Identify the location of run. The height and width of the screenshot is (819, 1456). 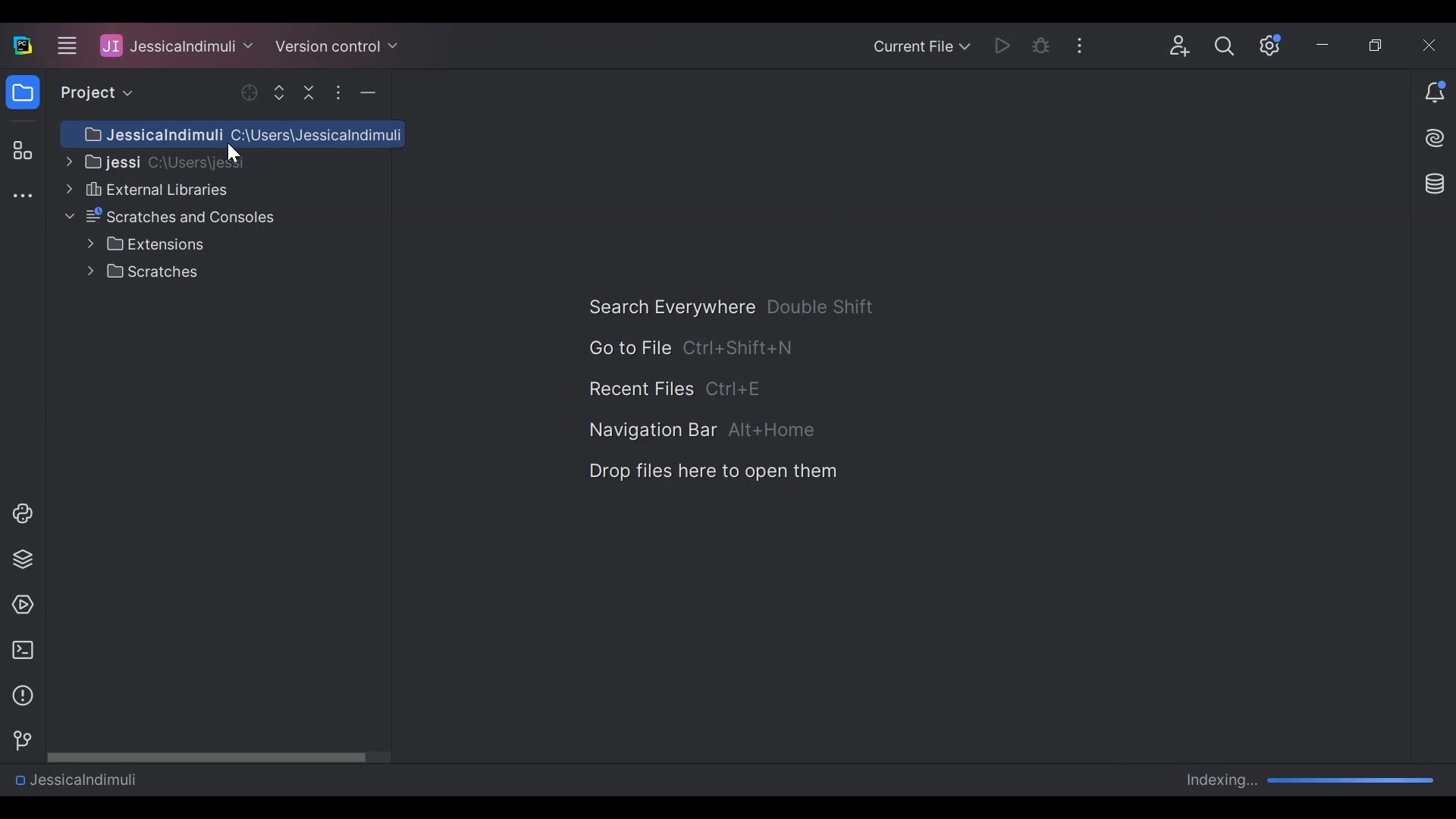
(19, 605).